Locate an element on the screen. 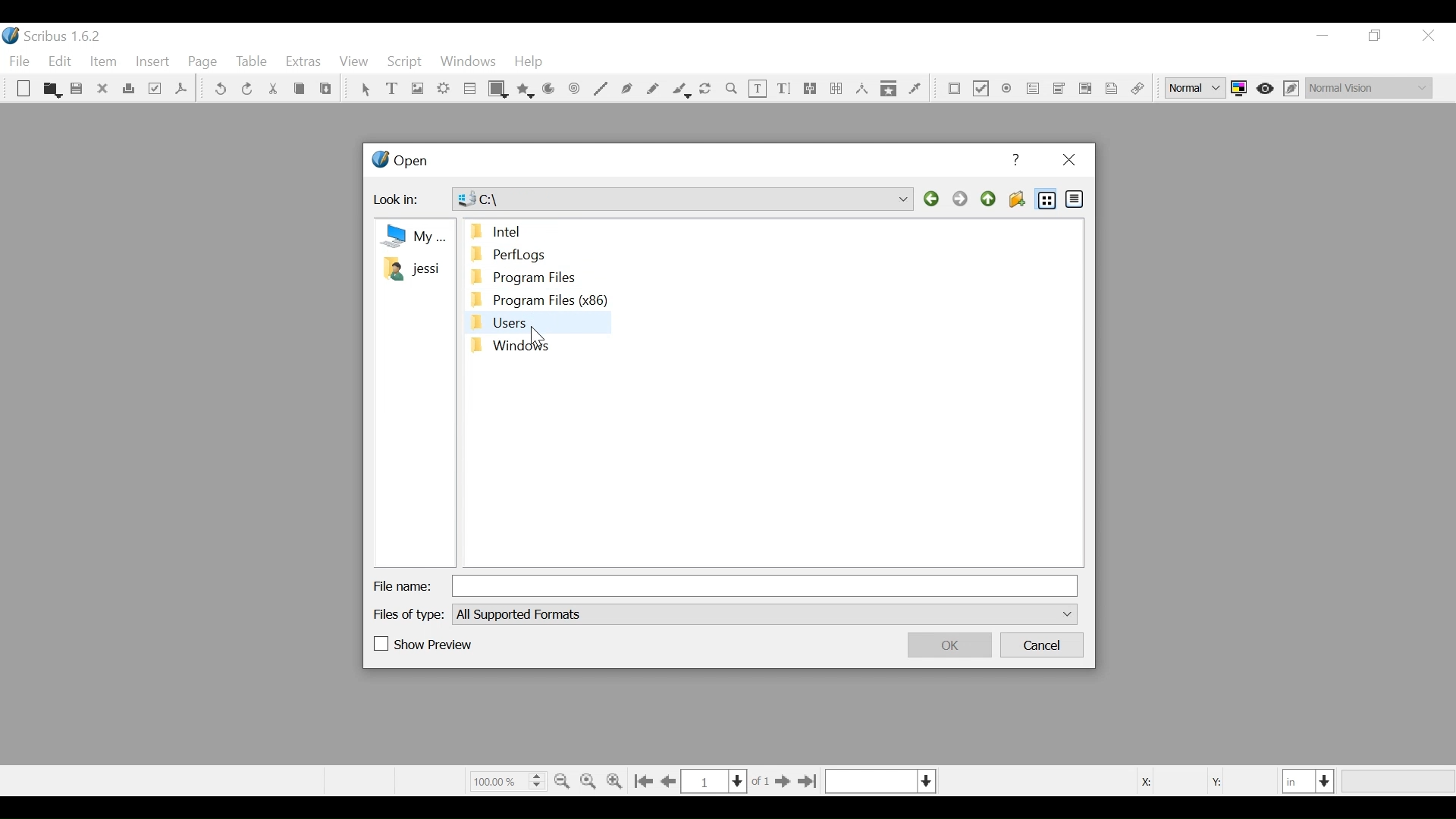 This screenshot has height=819, width=1456. Render is located at coordinates (444, 90).